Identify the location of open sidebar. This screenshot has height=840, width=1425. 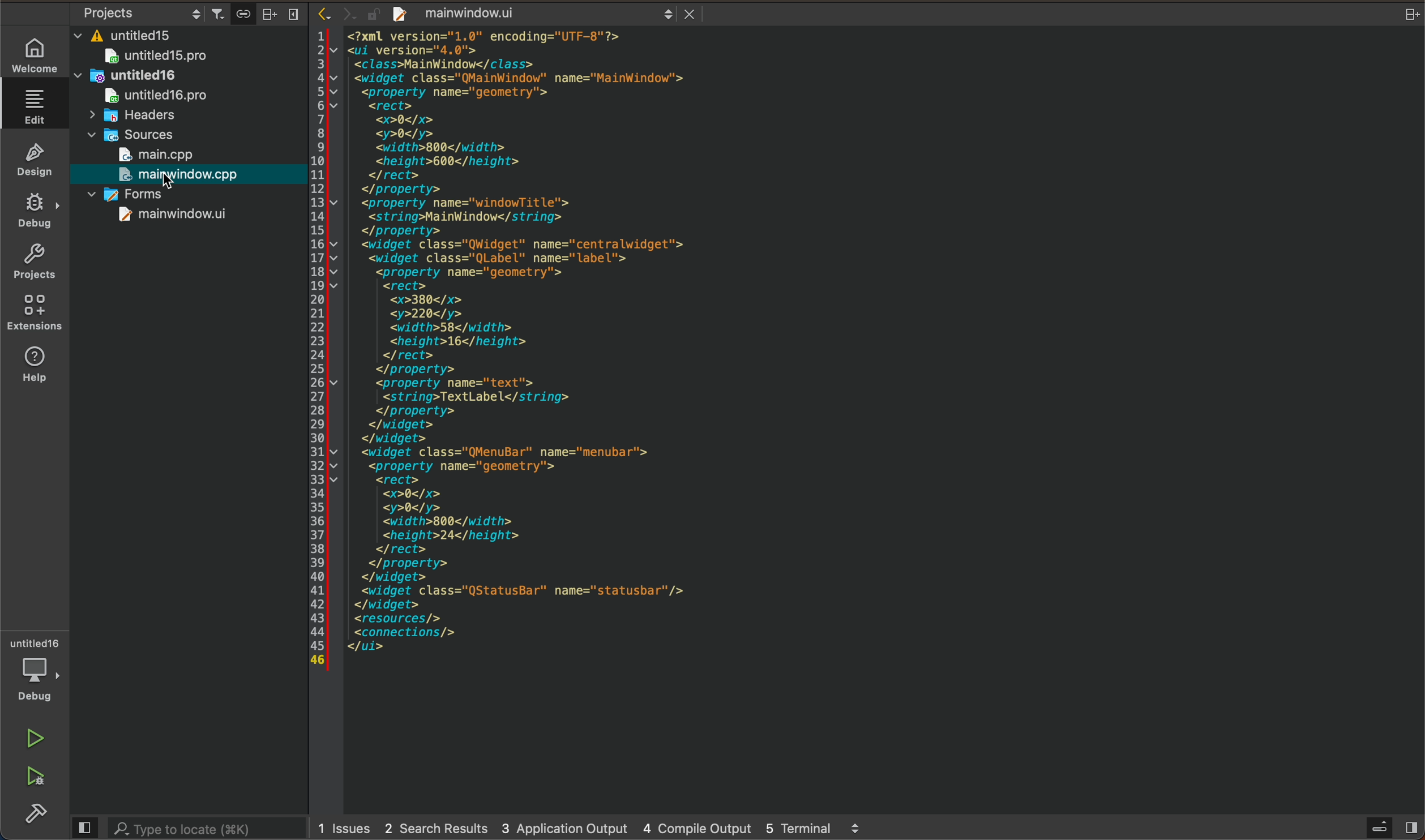
(1382, 827).